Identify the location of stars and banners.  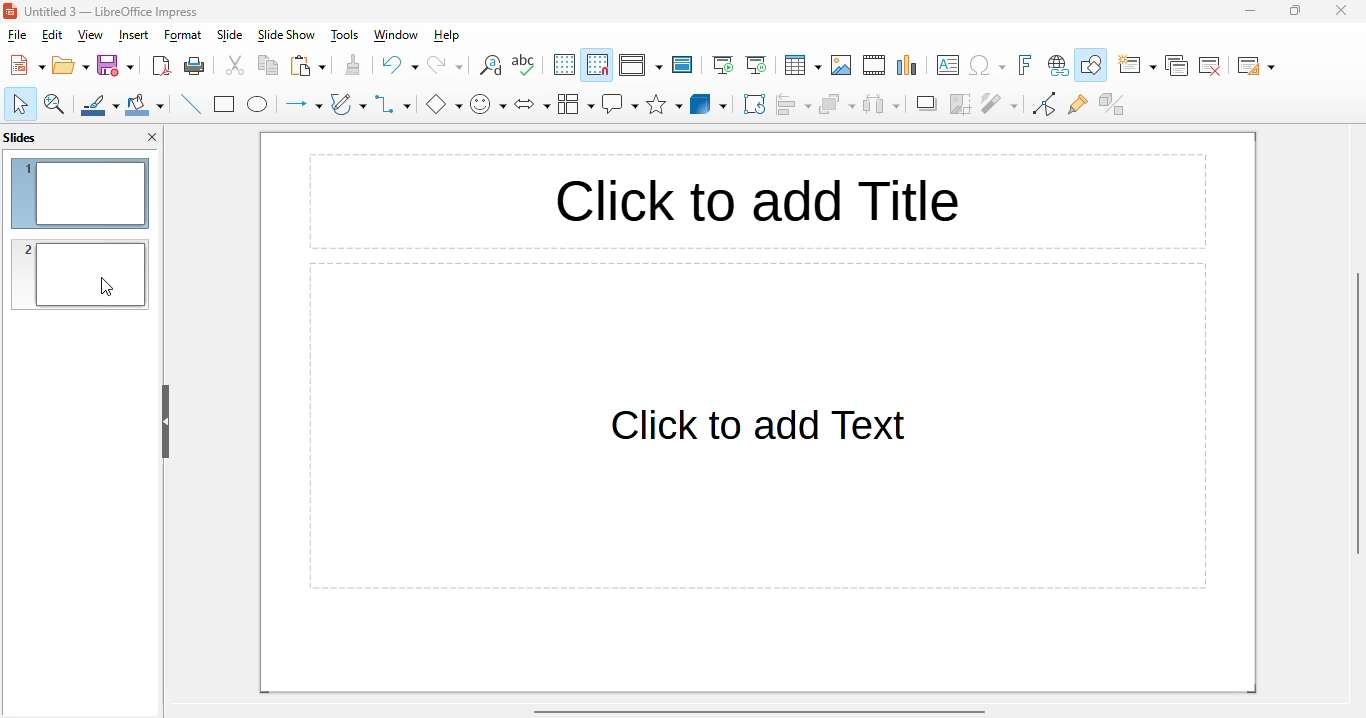
(663, 105).